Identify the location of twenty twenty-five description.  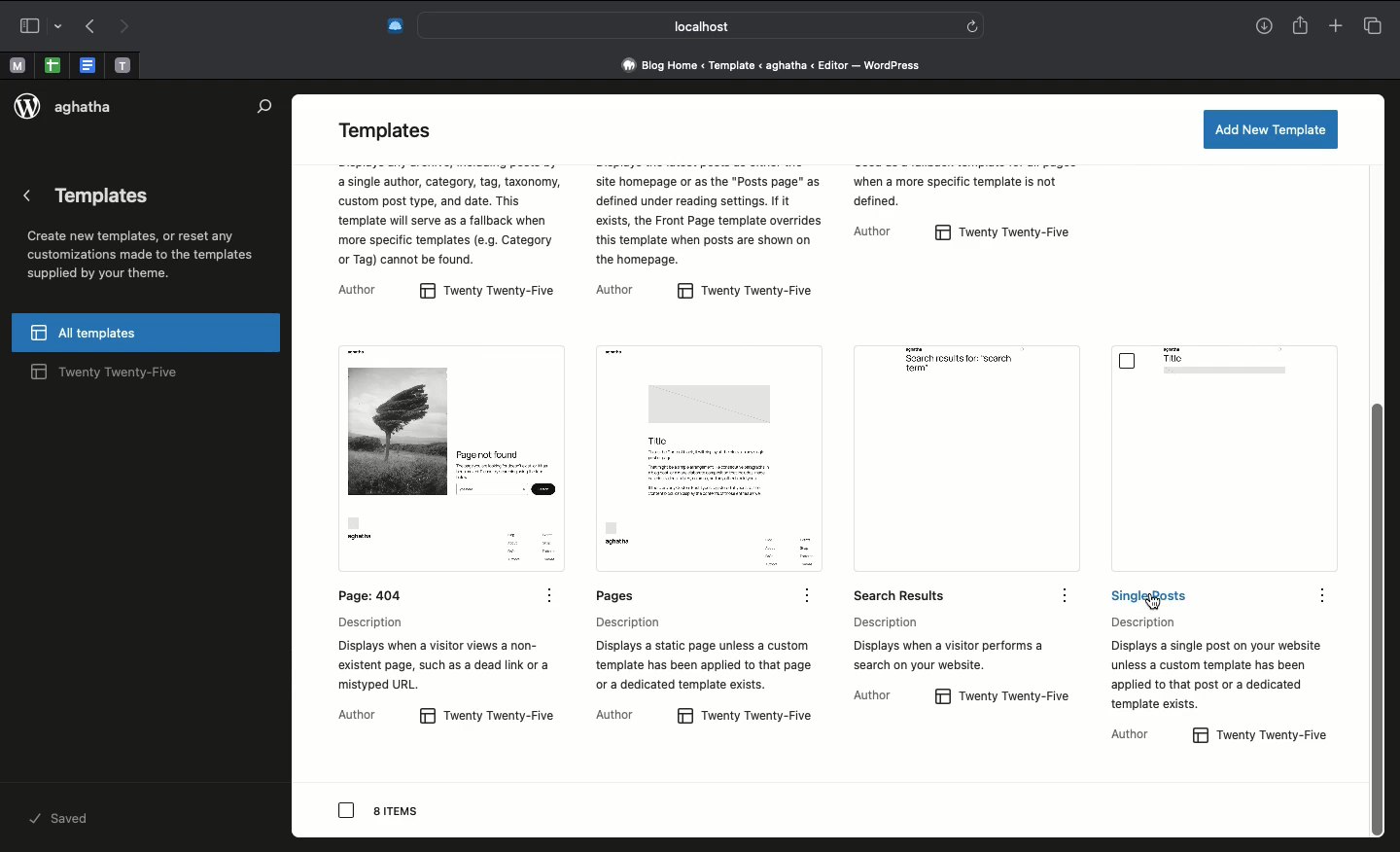
(445, 212).